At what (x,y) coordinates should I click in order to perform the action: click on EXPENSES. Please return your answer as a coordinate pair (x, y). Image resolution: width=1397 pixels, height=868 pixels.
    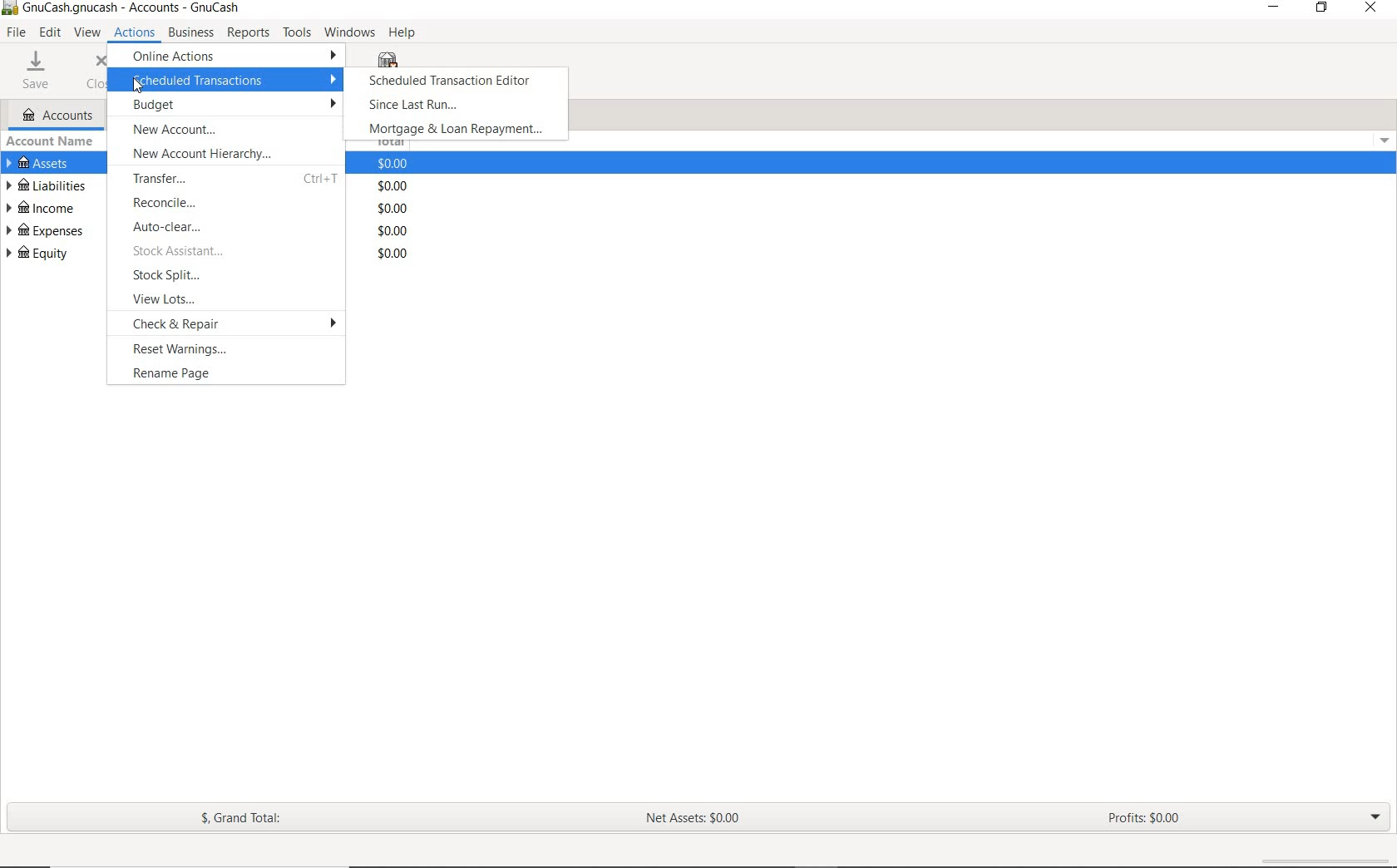
    Looking at the image, I should click on (42, 229).